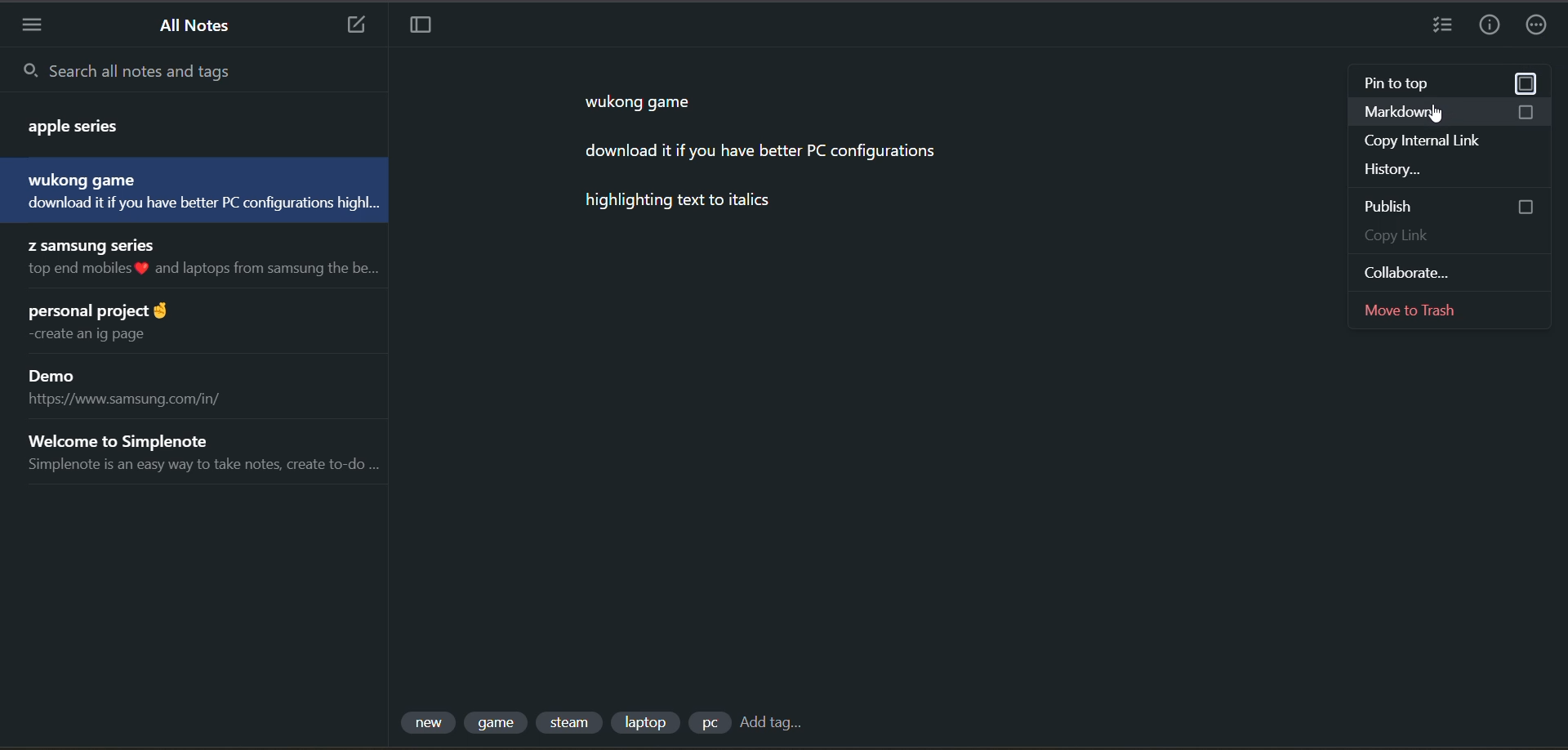 This screenshot has height=750, width=1568. What do you see at coordinates (572, 723) in the screenshot?
I see `tag 3` at bounding box center [572, 723].